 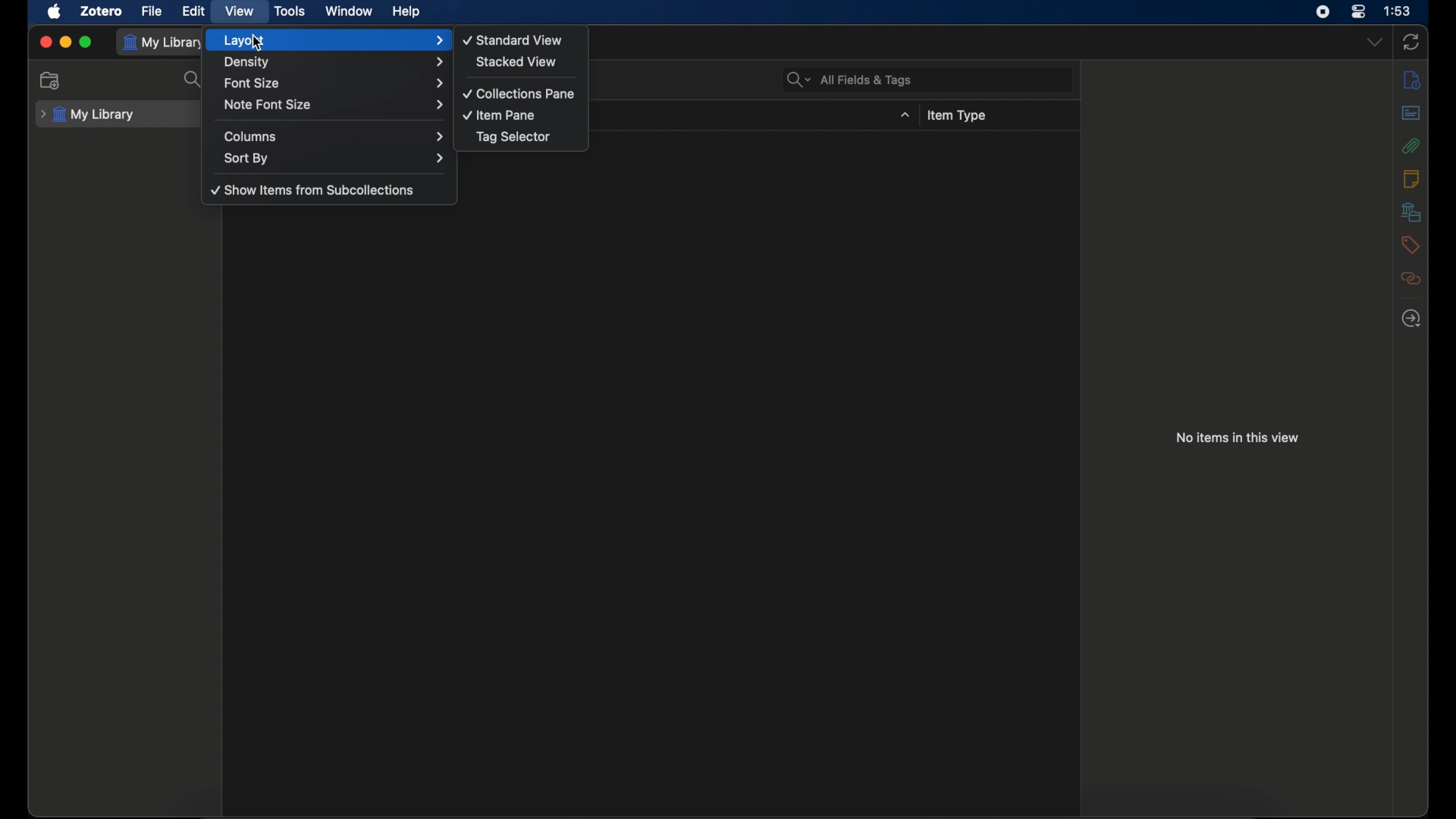 What do you see at coordinates (519, 94) in the screenshot?
I see `collections pane` at bounding box center [519, 94].